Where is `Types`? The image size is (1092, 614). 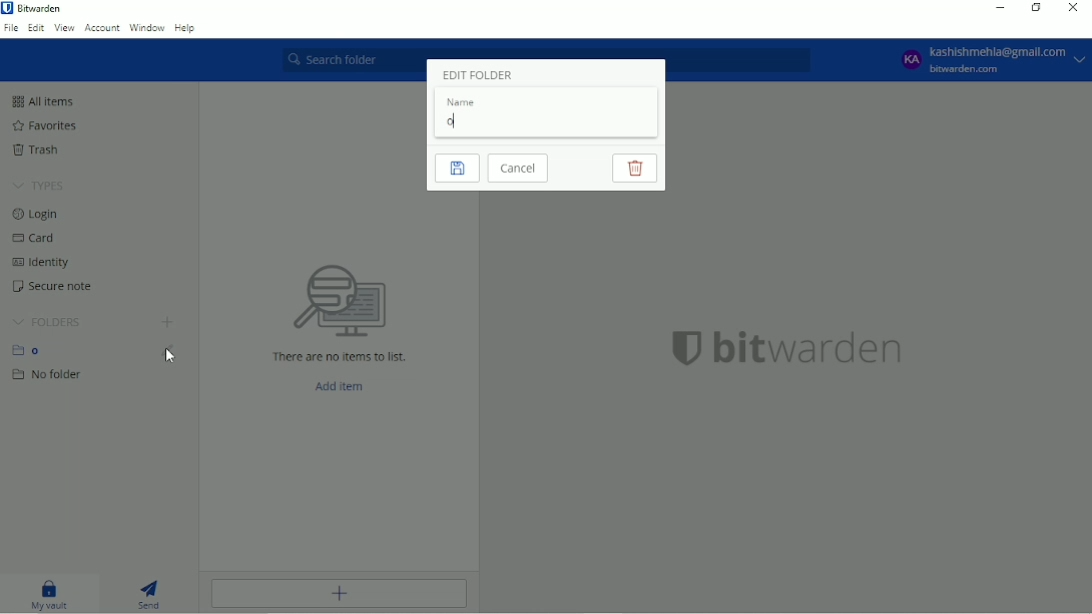 Types is located at coordinates (38, 186).